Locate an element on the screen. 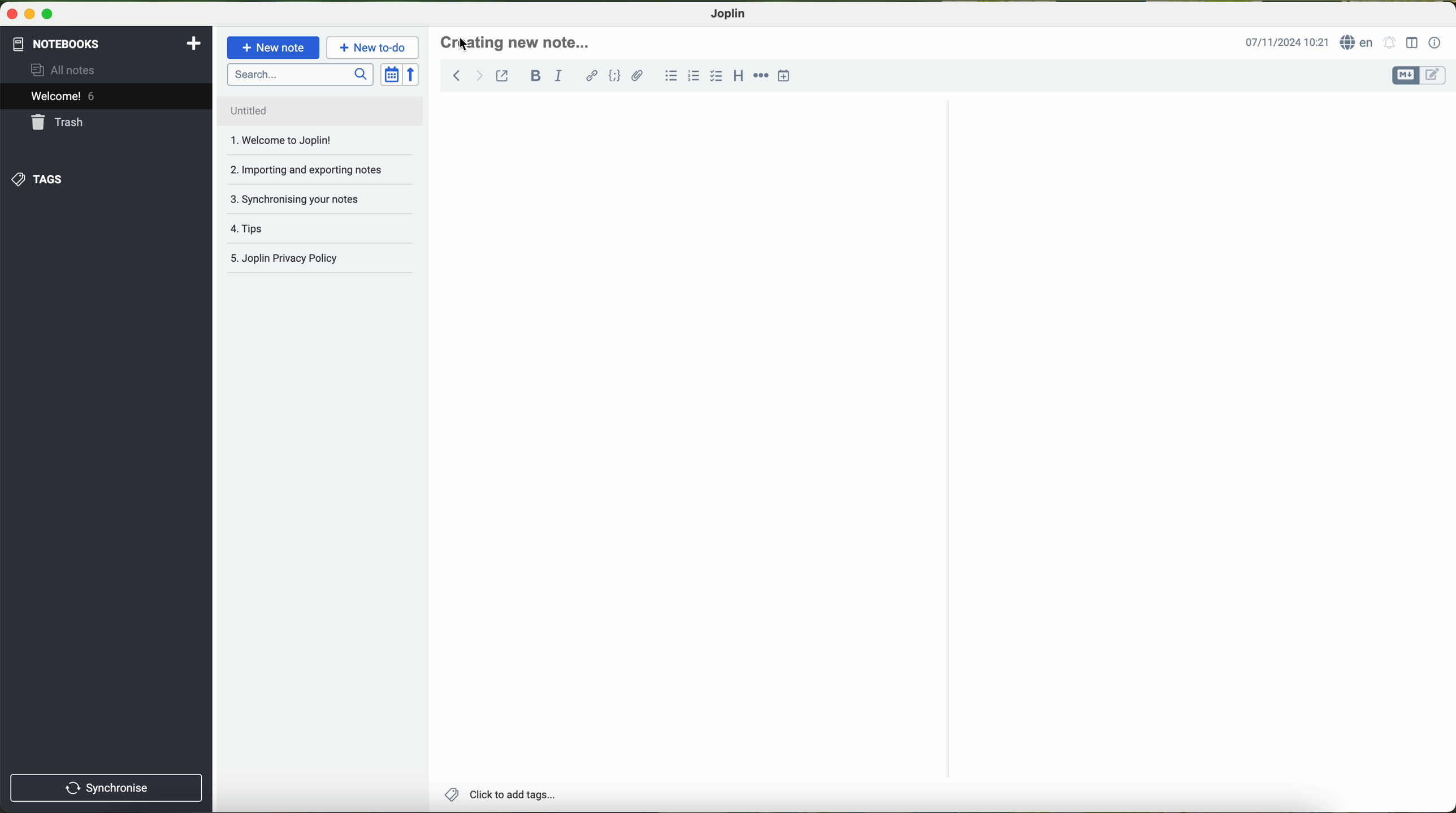 Image resolution: width=1456 pixels, height=813 pixels. checkbox is located at coordinates (717, 77).